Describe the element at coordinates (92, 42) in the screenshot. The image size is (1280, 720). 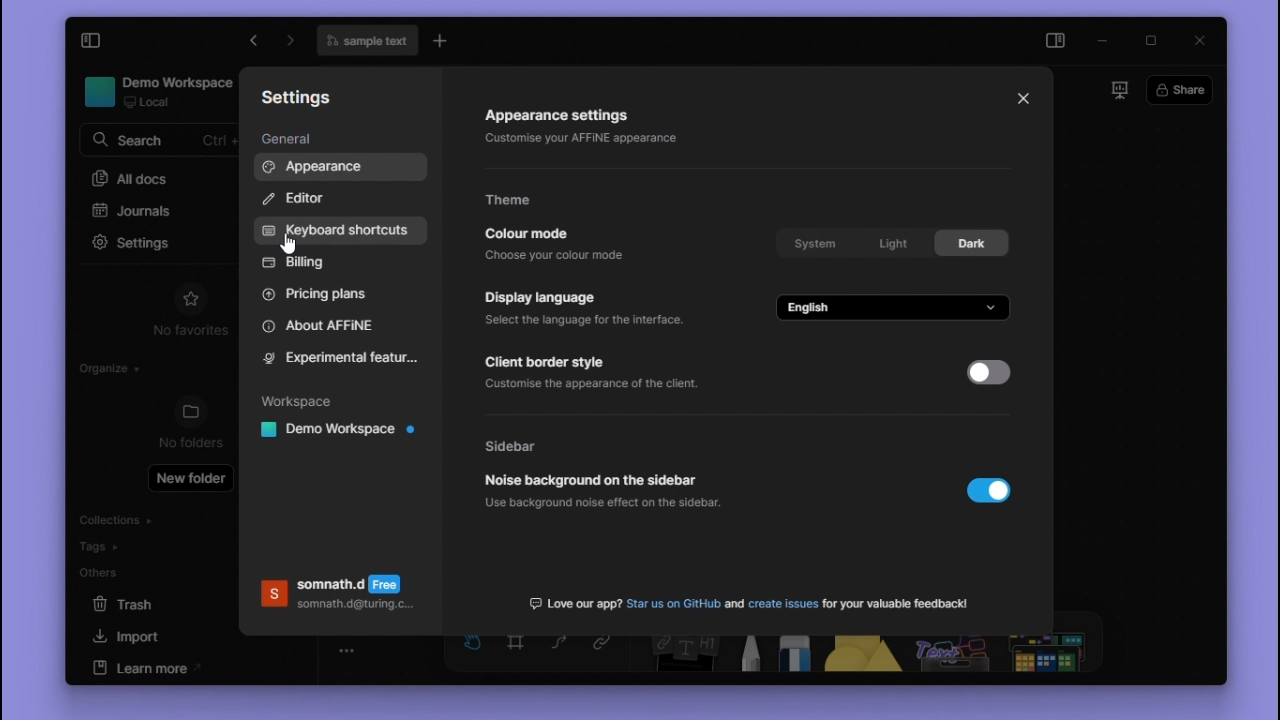
I see `collapse sidebar` at that location.